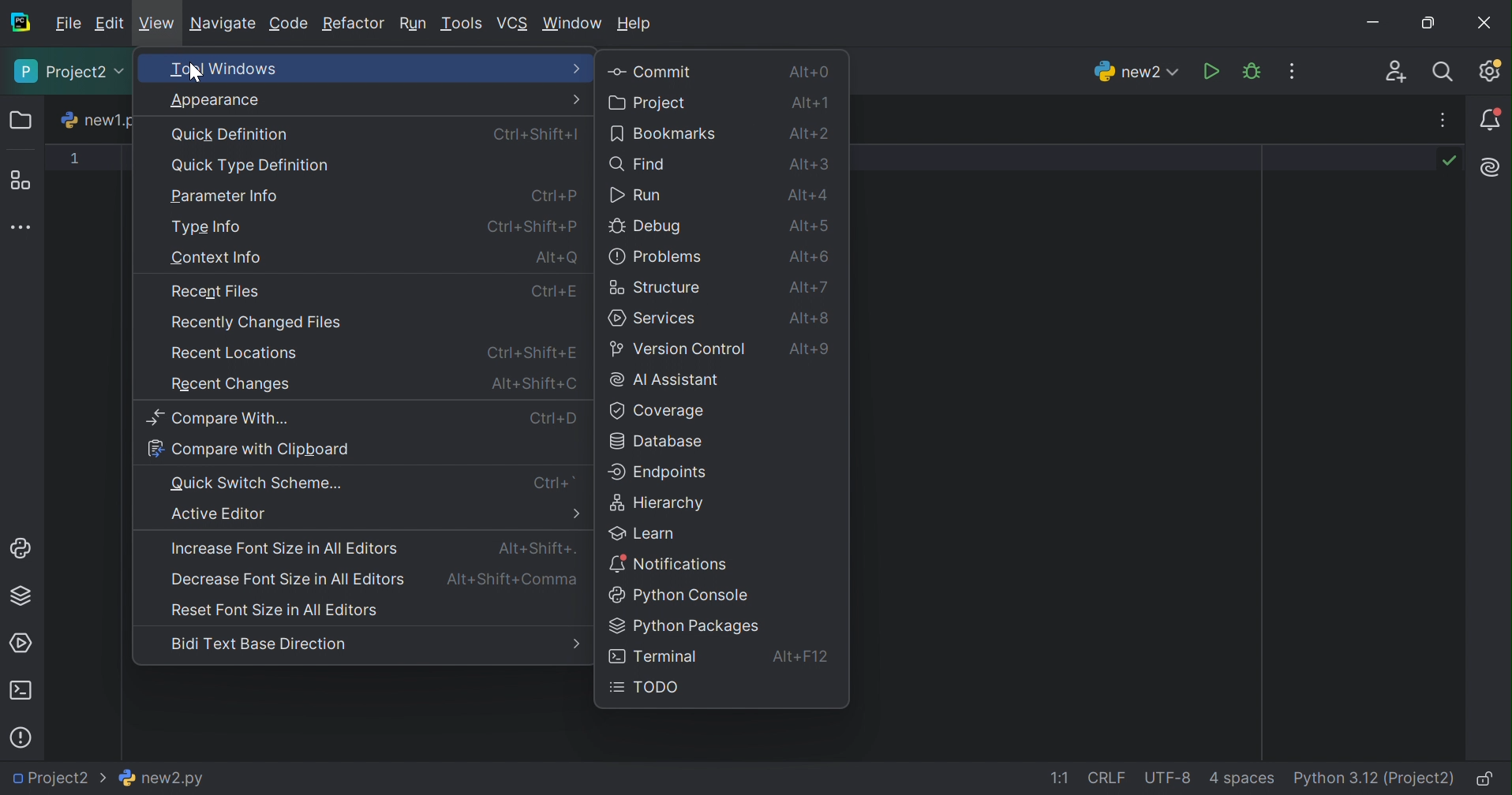 This screenshot has width=1512, height=795. Describe the element at coordinates (532, 352) in the screenshot. I see `Ctrl+Shift+P` at that location.